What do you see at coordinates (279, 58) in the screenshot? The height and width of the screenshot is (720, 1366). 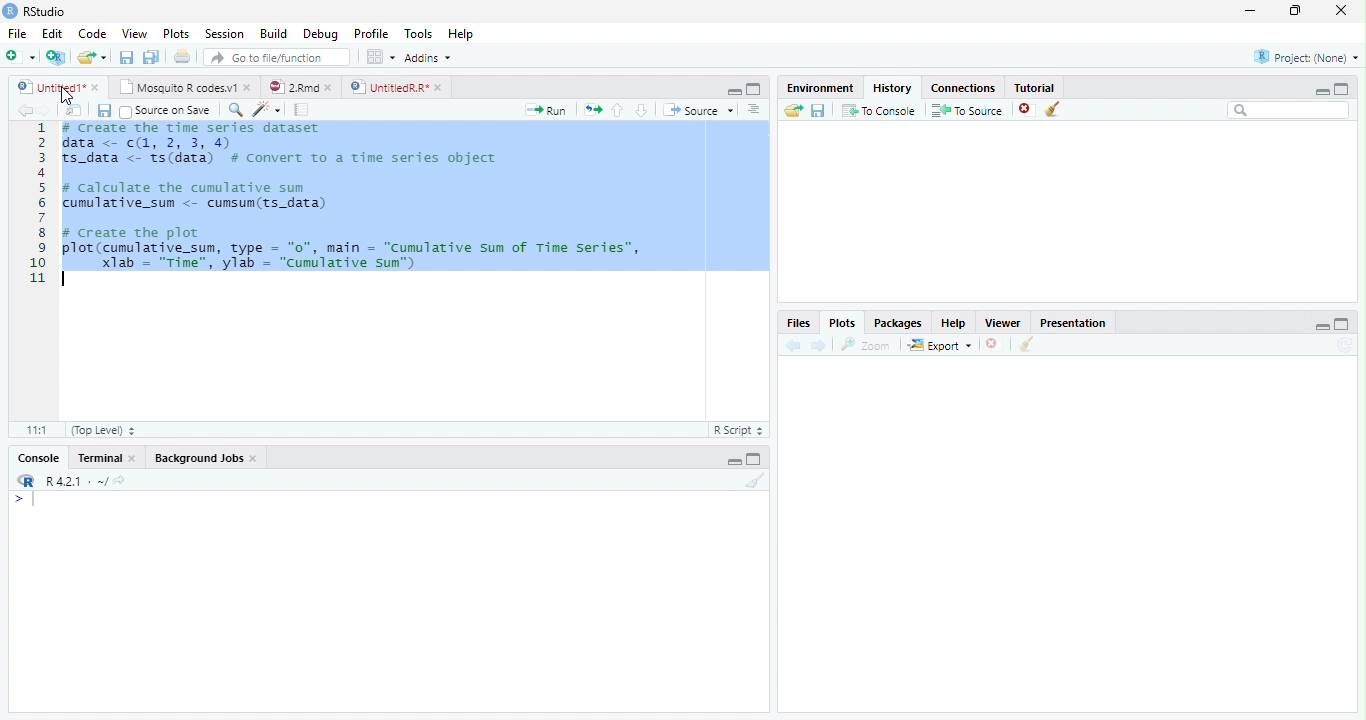 I see `Go to file/function` at bounding box center [279, 58].